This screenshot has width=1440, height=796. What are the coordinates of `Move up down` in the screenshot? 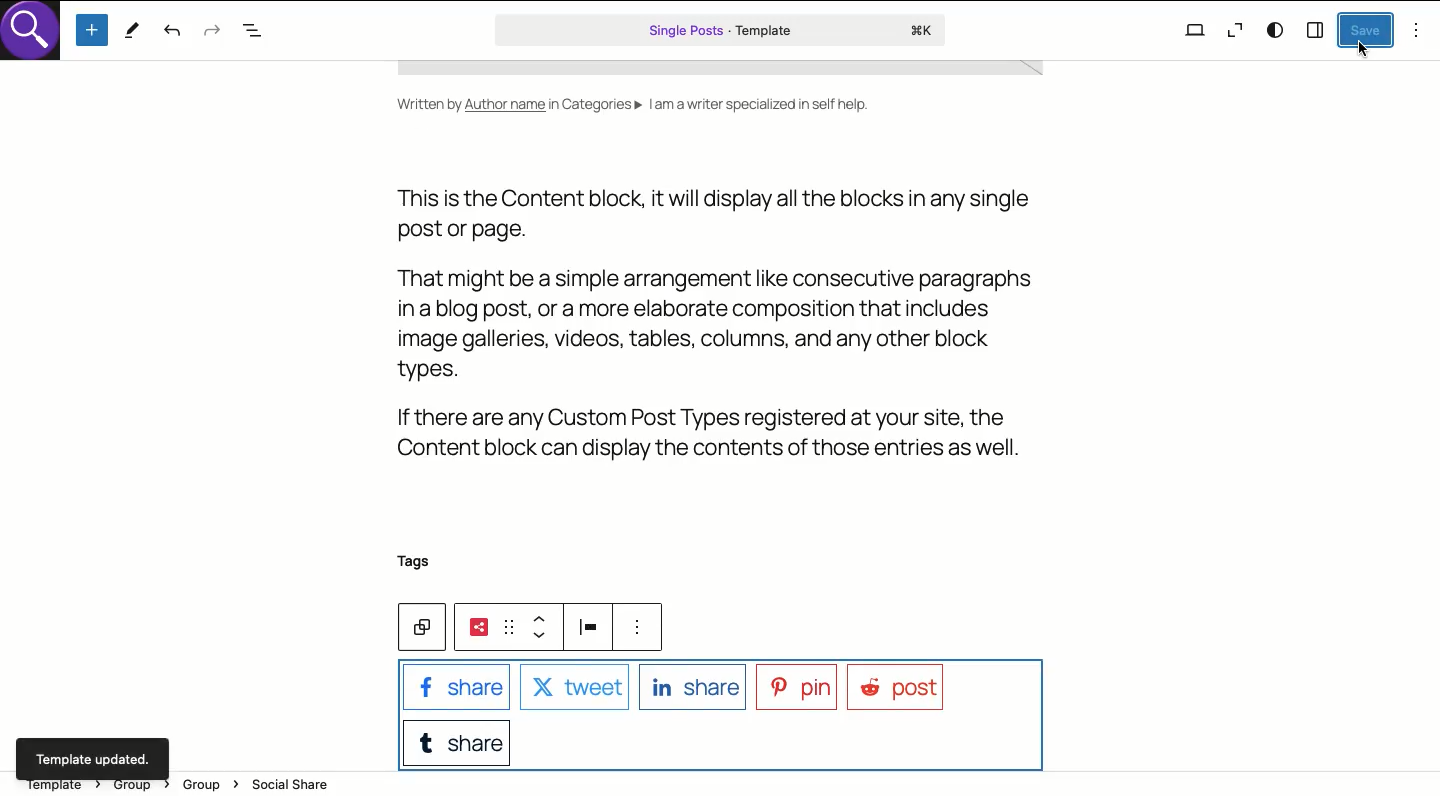 It's located at (549, 629).